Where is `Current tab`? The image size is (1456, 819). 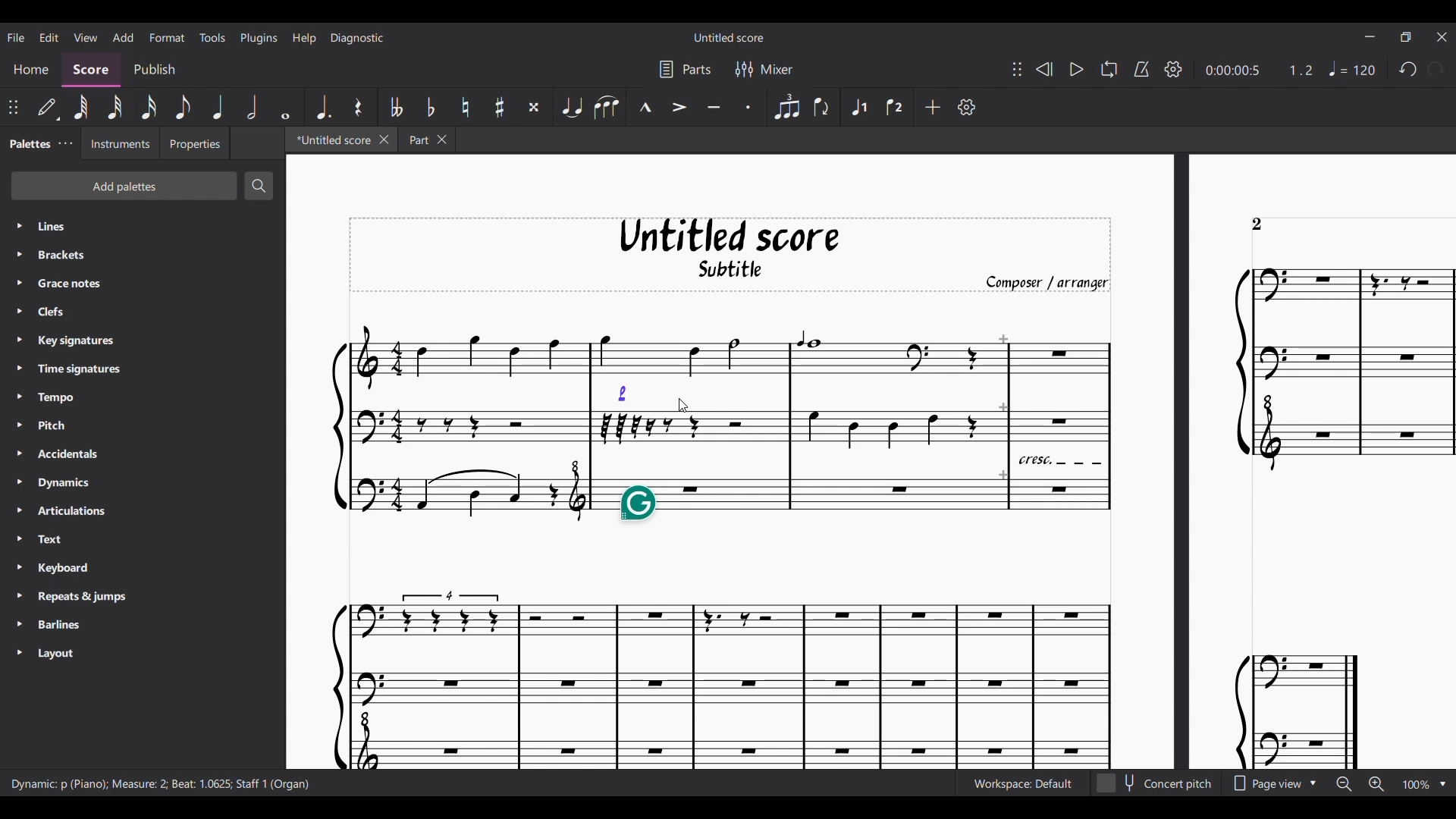 Current tab is located at coordinates (331, 139).